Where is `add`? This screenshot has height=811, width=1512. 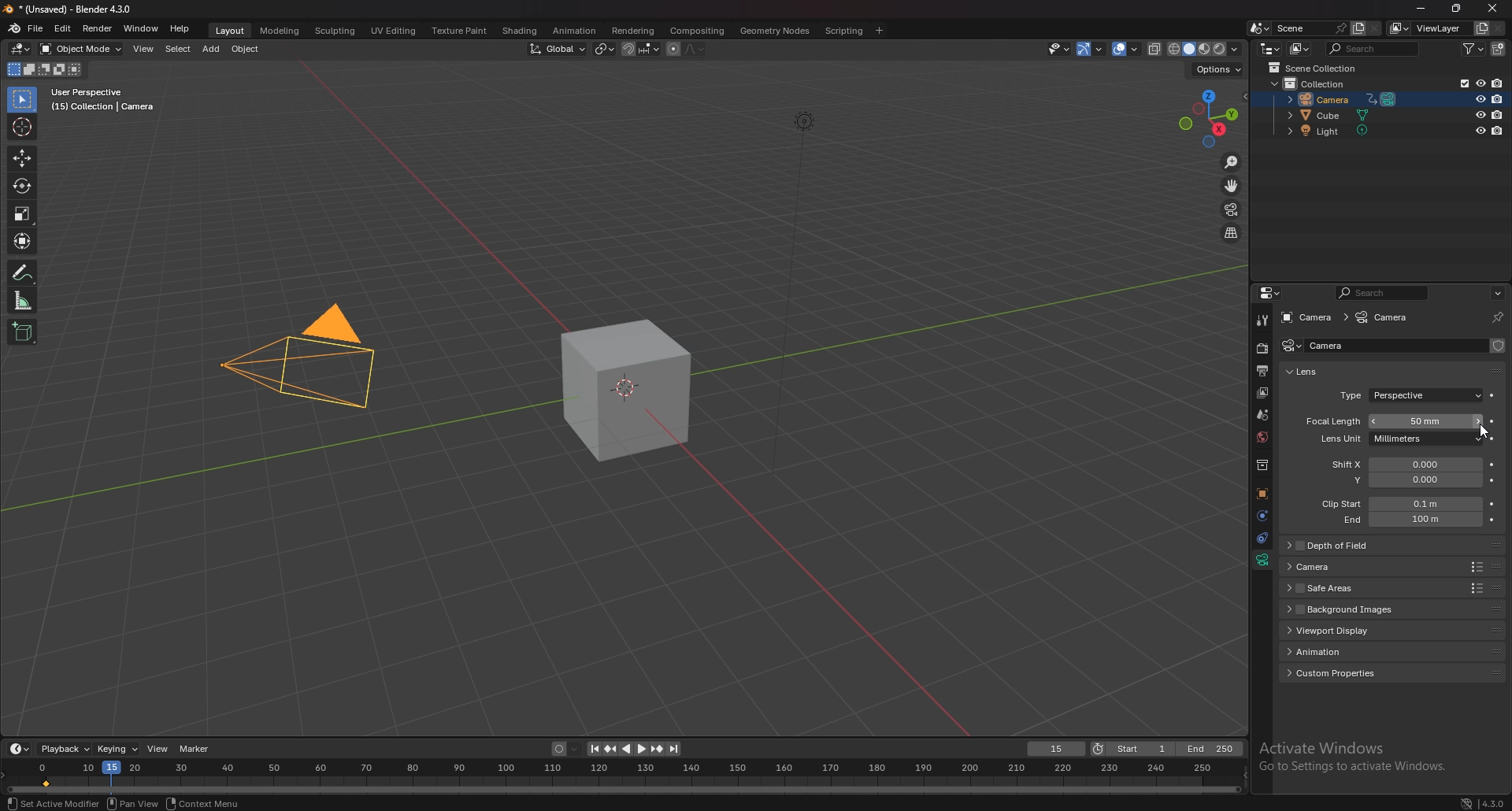 add is located at coordinates (211, 50).